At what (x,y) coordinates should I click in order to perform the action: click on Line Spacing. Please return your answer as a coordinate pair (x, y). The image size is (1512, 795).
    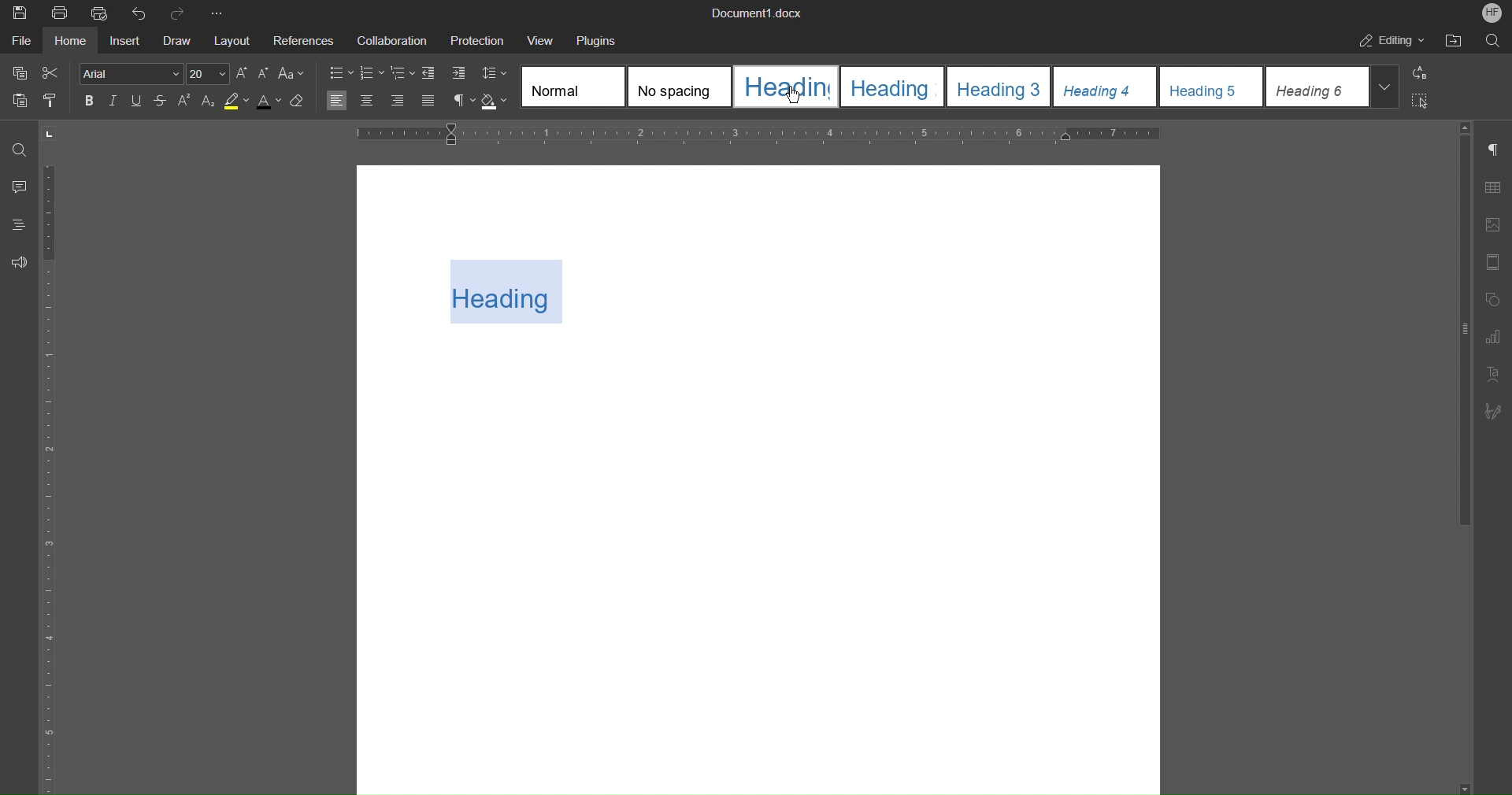
    Looking at the image, I should click on (495, 74).